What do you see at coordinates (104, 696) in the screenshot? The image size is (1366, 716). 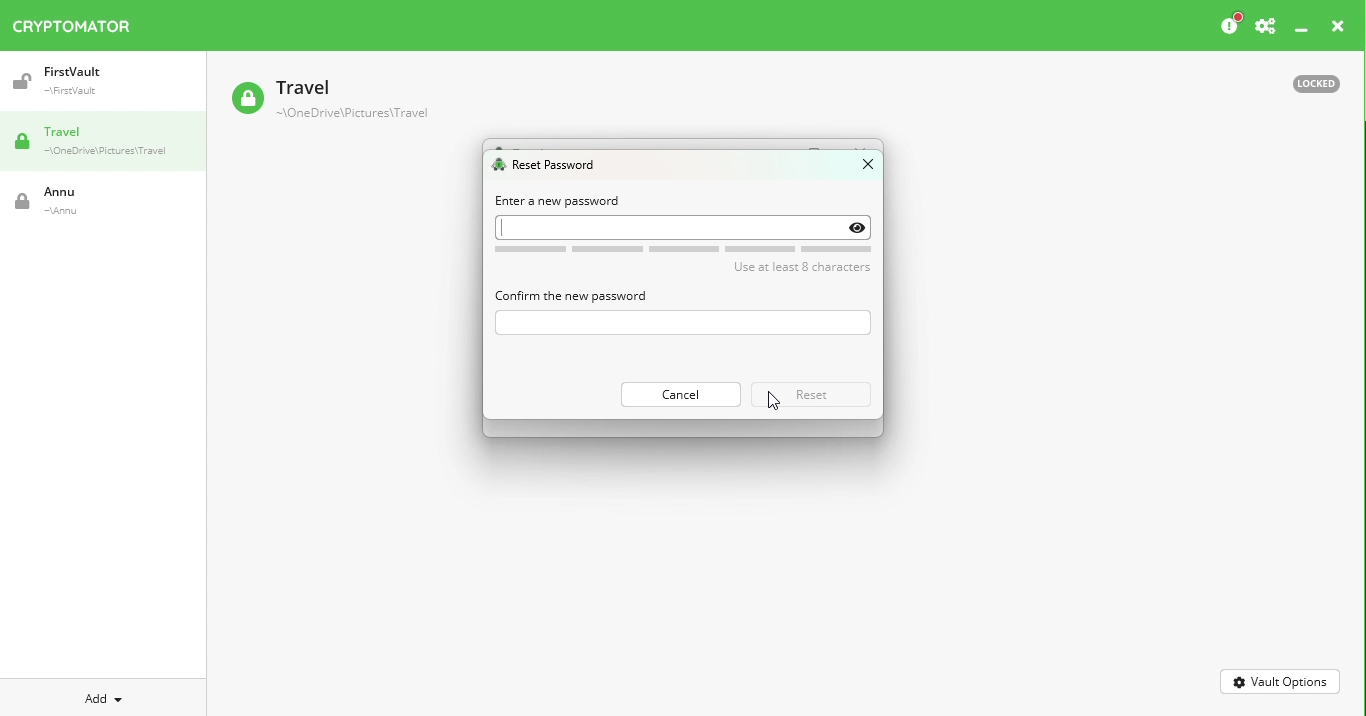 I see `Add new vault` at bounding box center [104, 696].